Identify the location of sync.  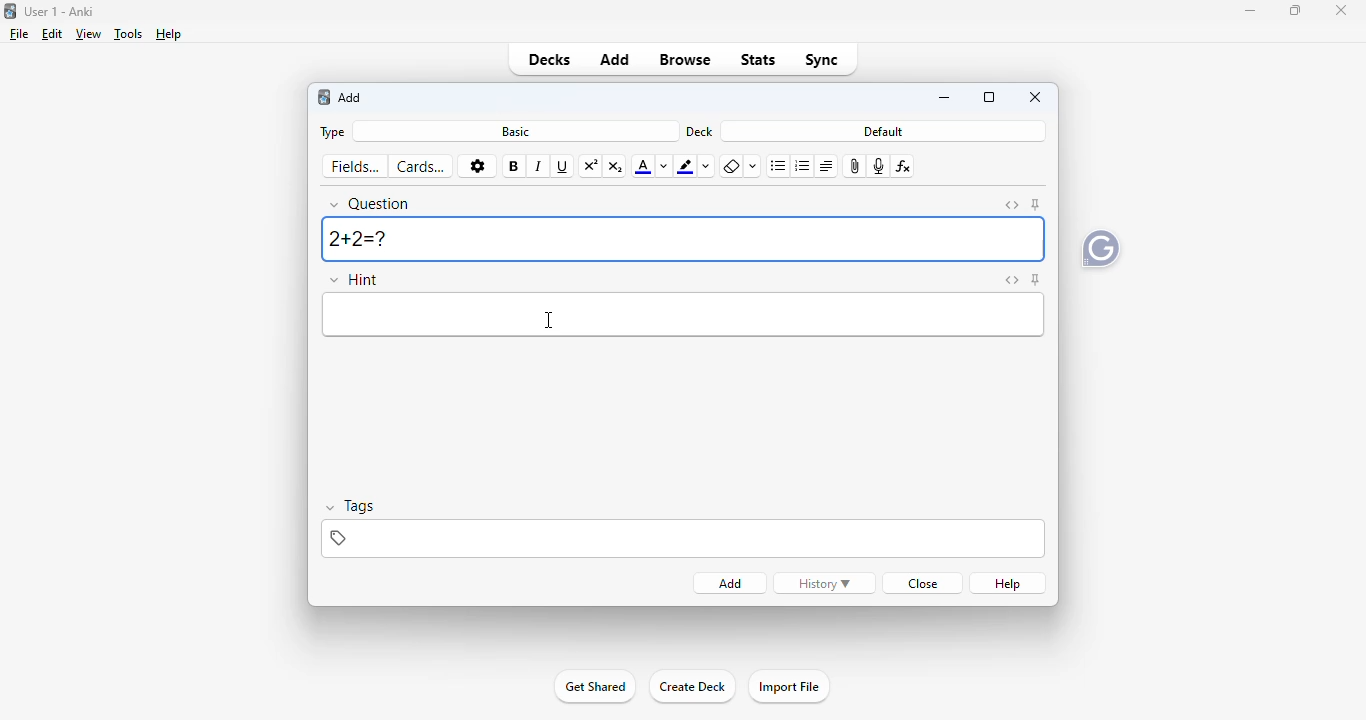
(820, 60).